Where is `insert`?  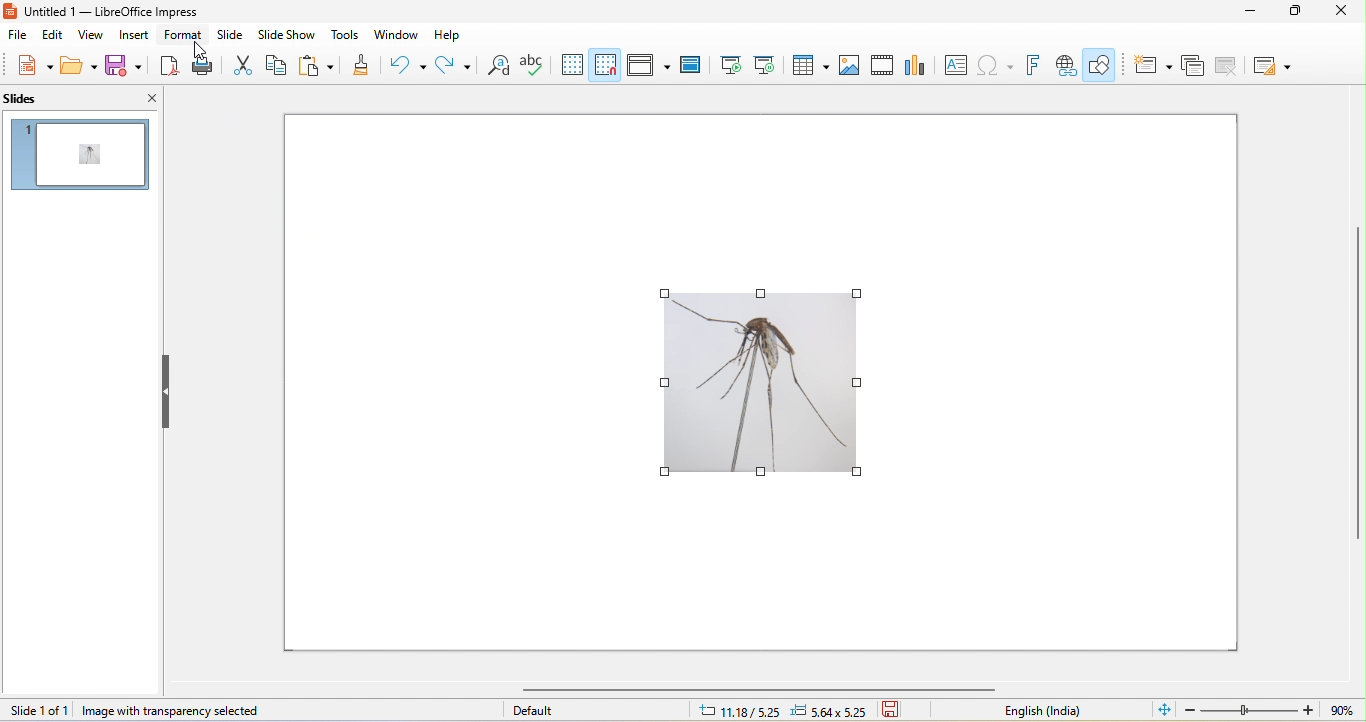 insert is located at coordinates (135, 35).